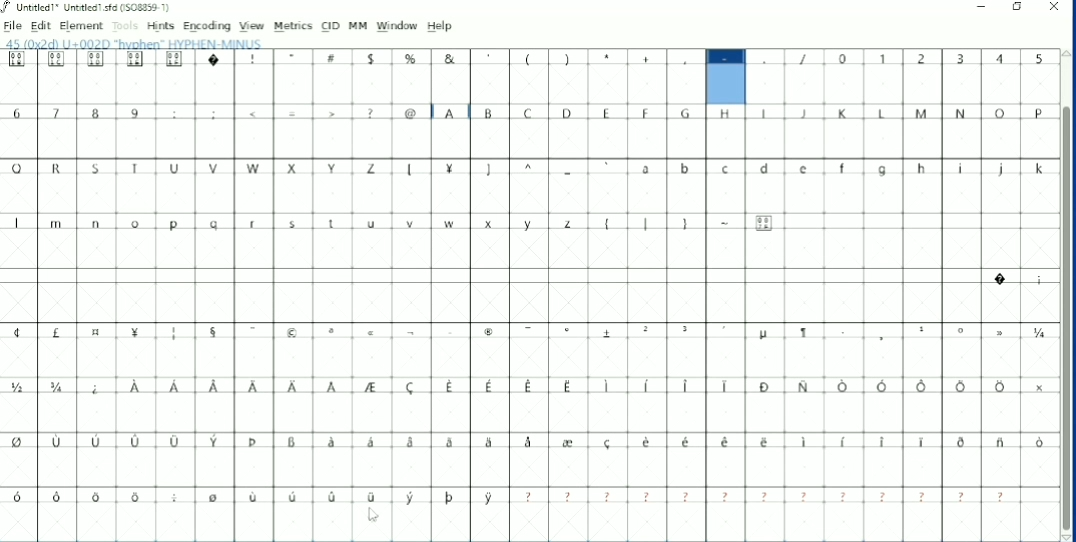  Describe the element at coordinates (528, 386) in the screenshot. I see `Symbols` at that location.